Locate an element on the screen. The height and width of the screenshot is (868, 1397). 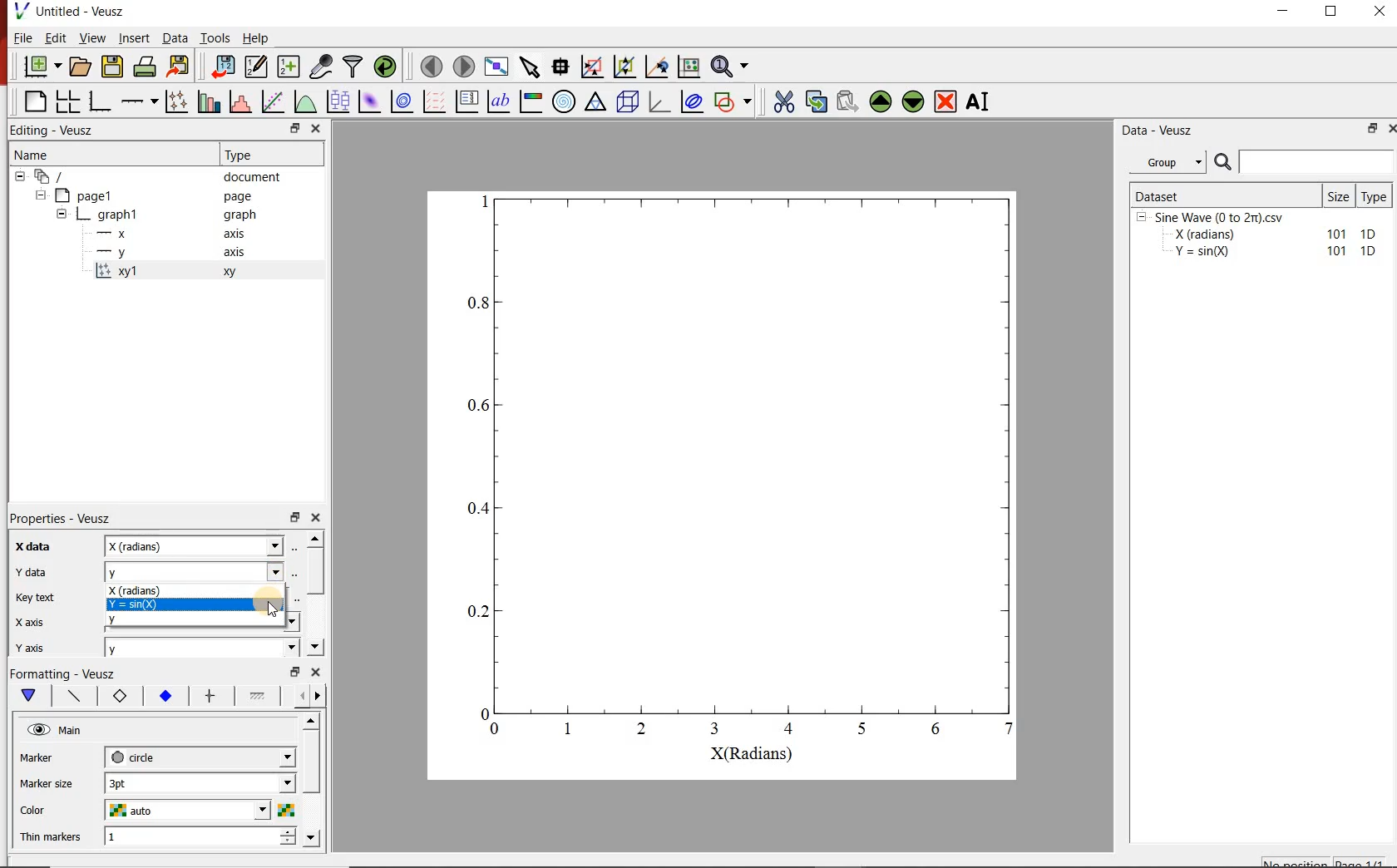
plot key is located at coordinates (468, 101).